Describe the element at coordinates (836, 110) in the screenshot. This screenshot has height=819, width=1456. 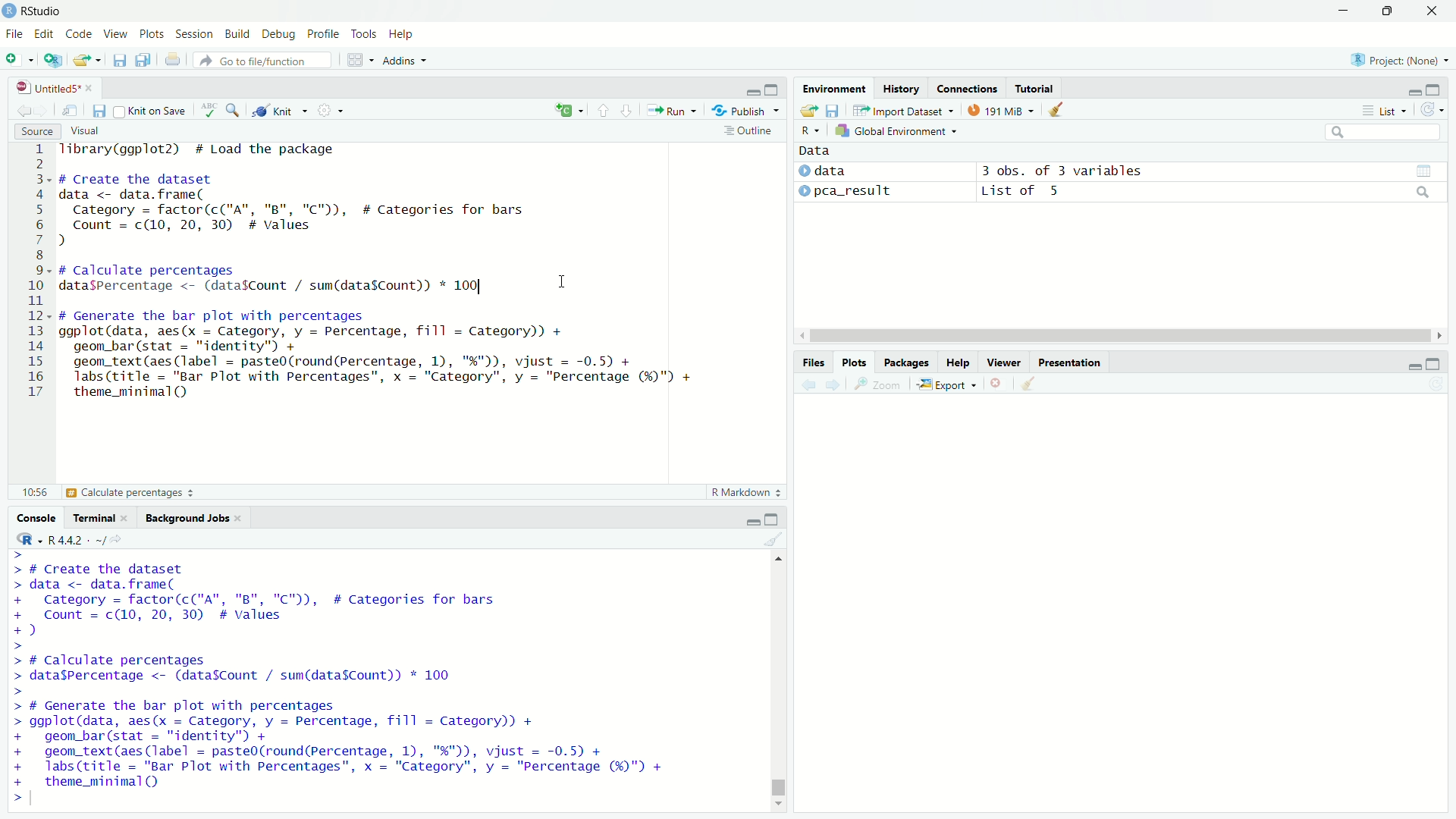
I see `save as workspace` at that location.